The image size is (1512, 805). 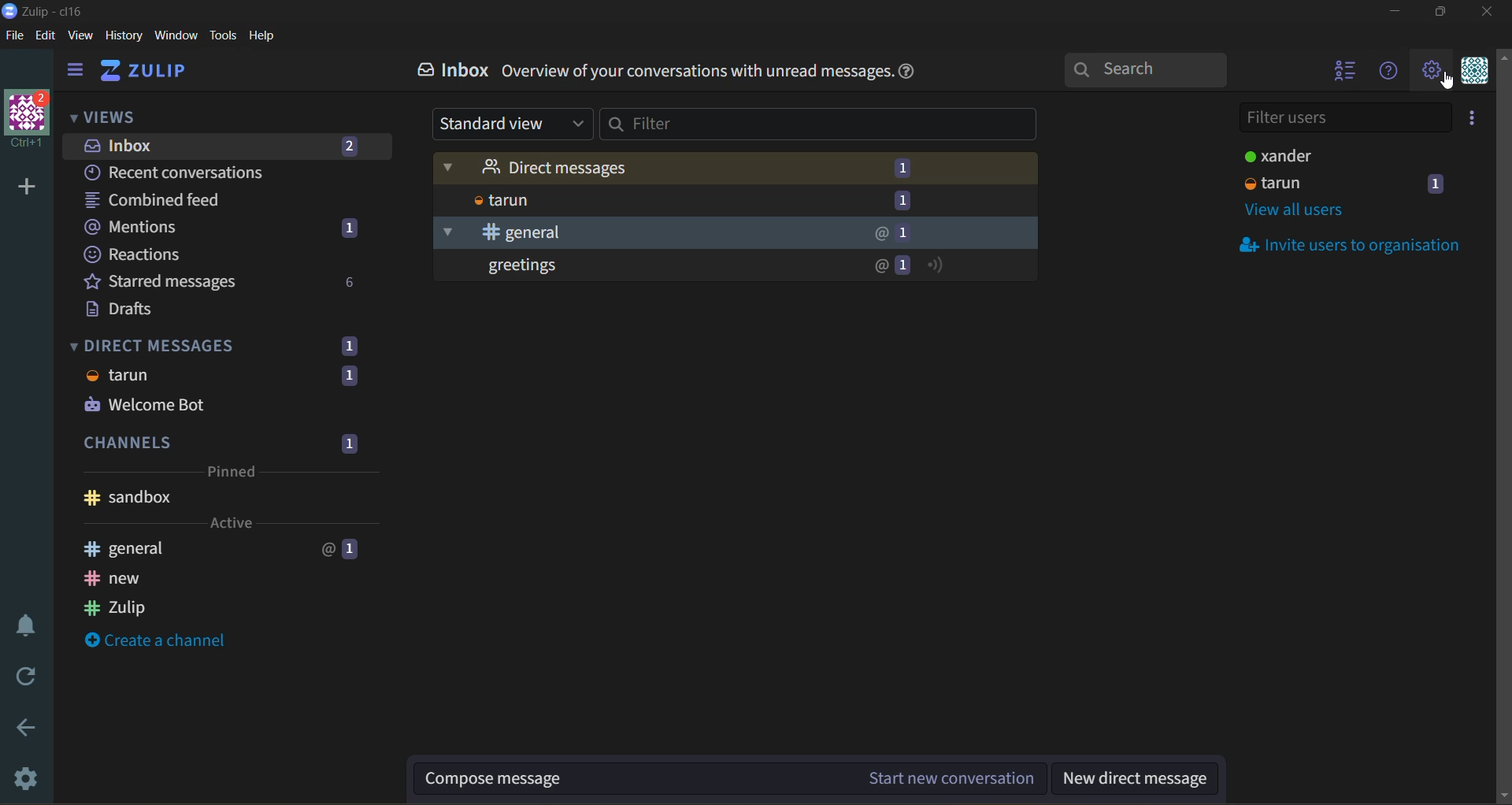 I want to click on zulip, so click(x=138, y=610).